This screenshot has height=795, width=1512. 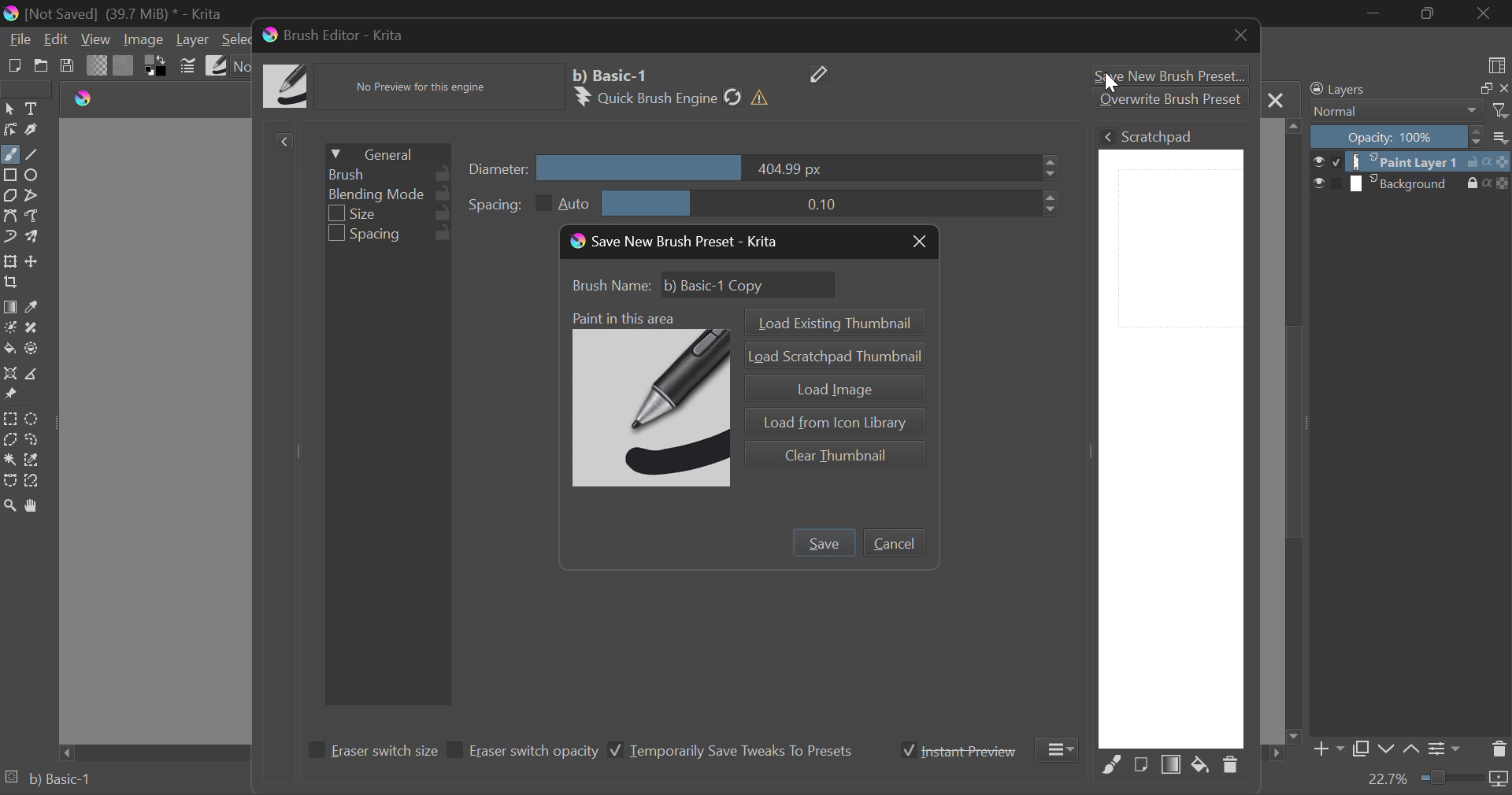 What do you see at coordinates (33, 327) in the screenshot?
I see `Smart Patch Tool` at bounding box center [33, 327].